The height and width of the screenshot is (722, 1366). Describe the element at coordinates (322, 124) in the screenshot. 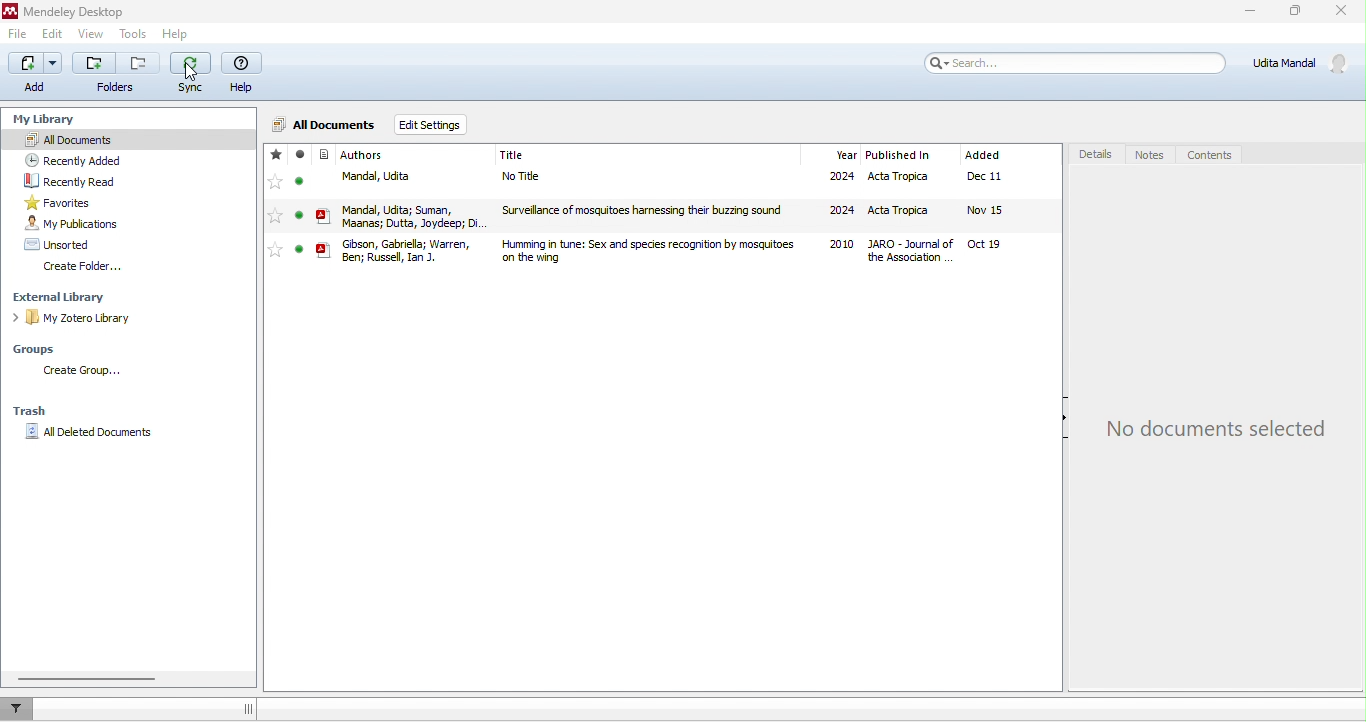

I see `all documents` at that location.